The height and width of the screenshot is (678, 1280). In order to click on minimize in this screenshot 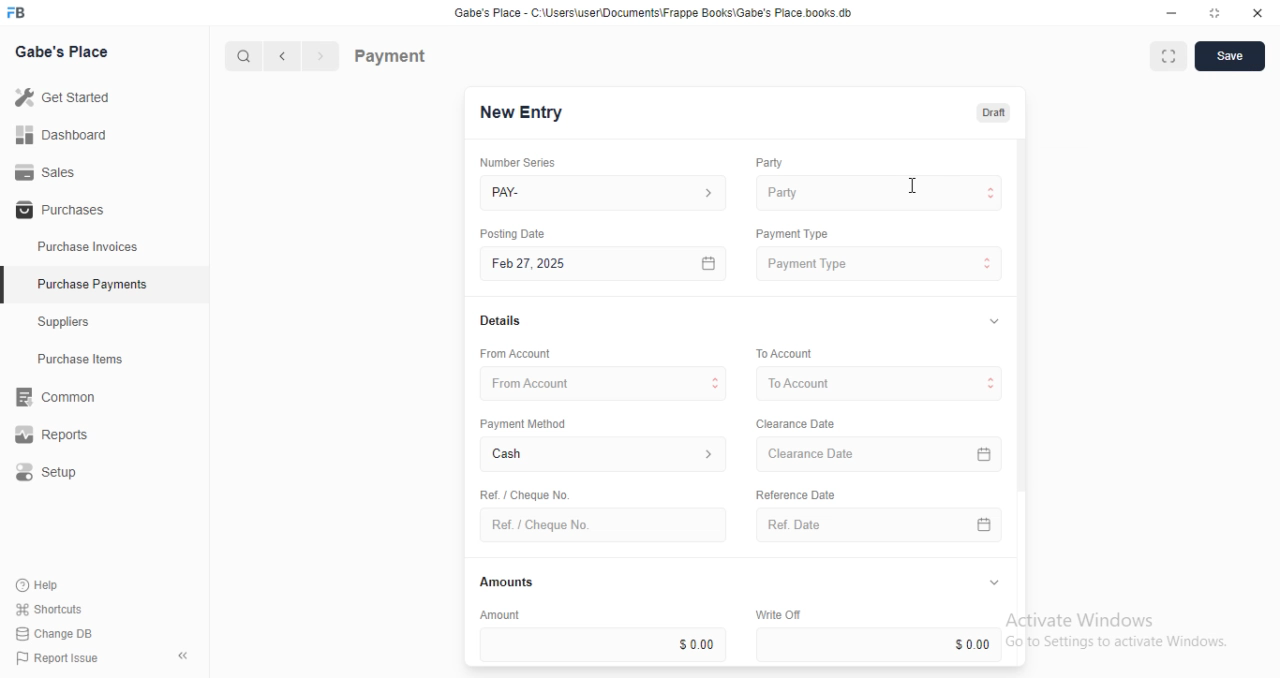, I will do `click(1166, 12)`.